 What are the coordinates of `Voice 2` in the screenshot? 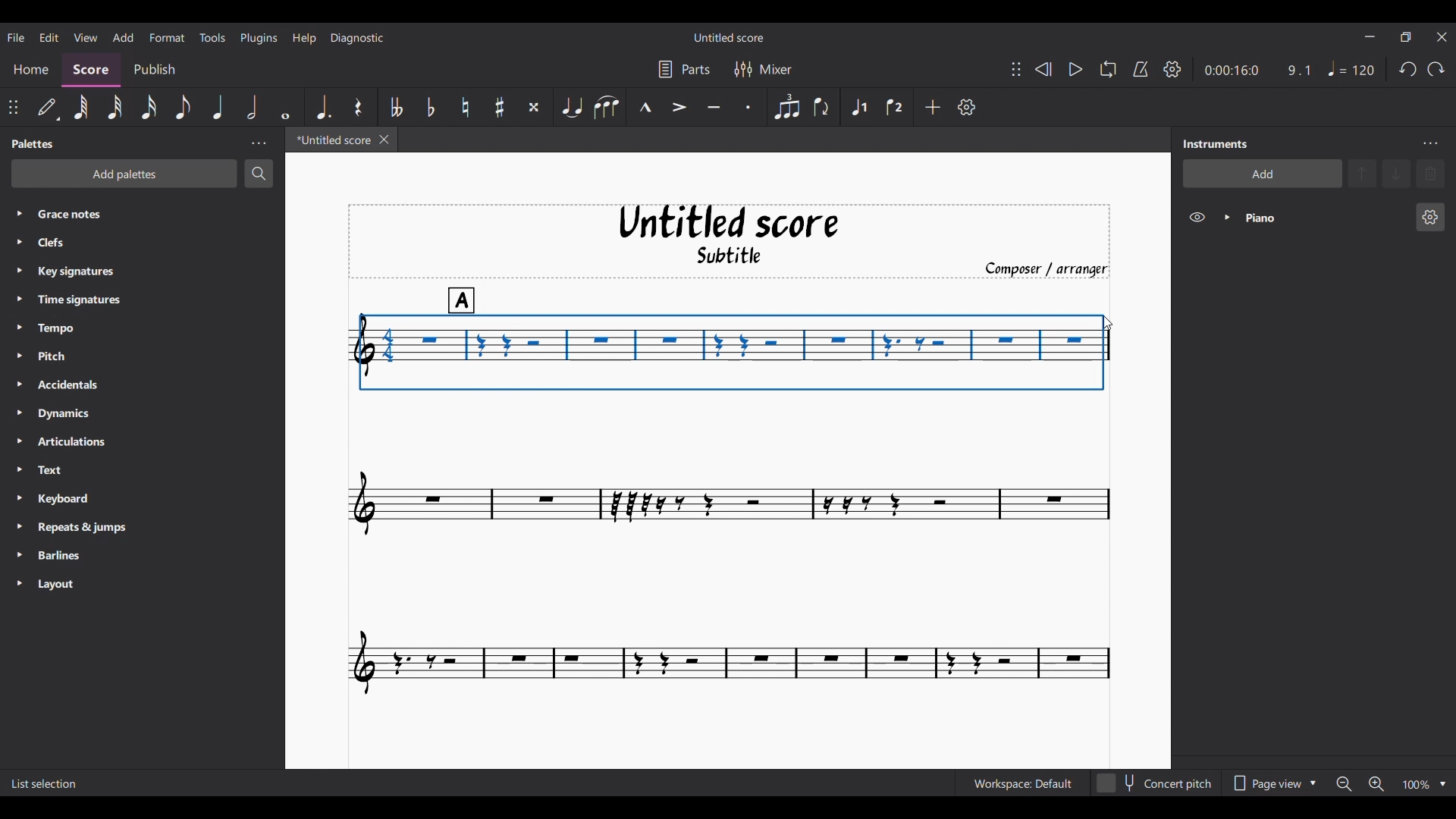 It's located at (894, 108).